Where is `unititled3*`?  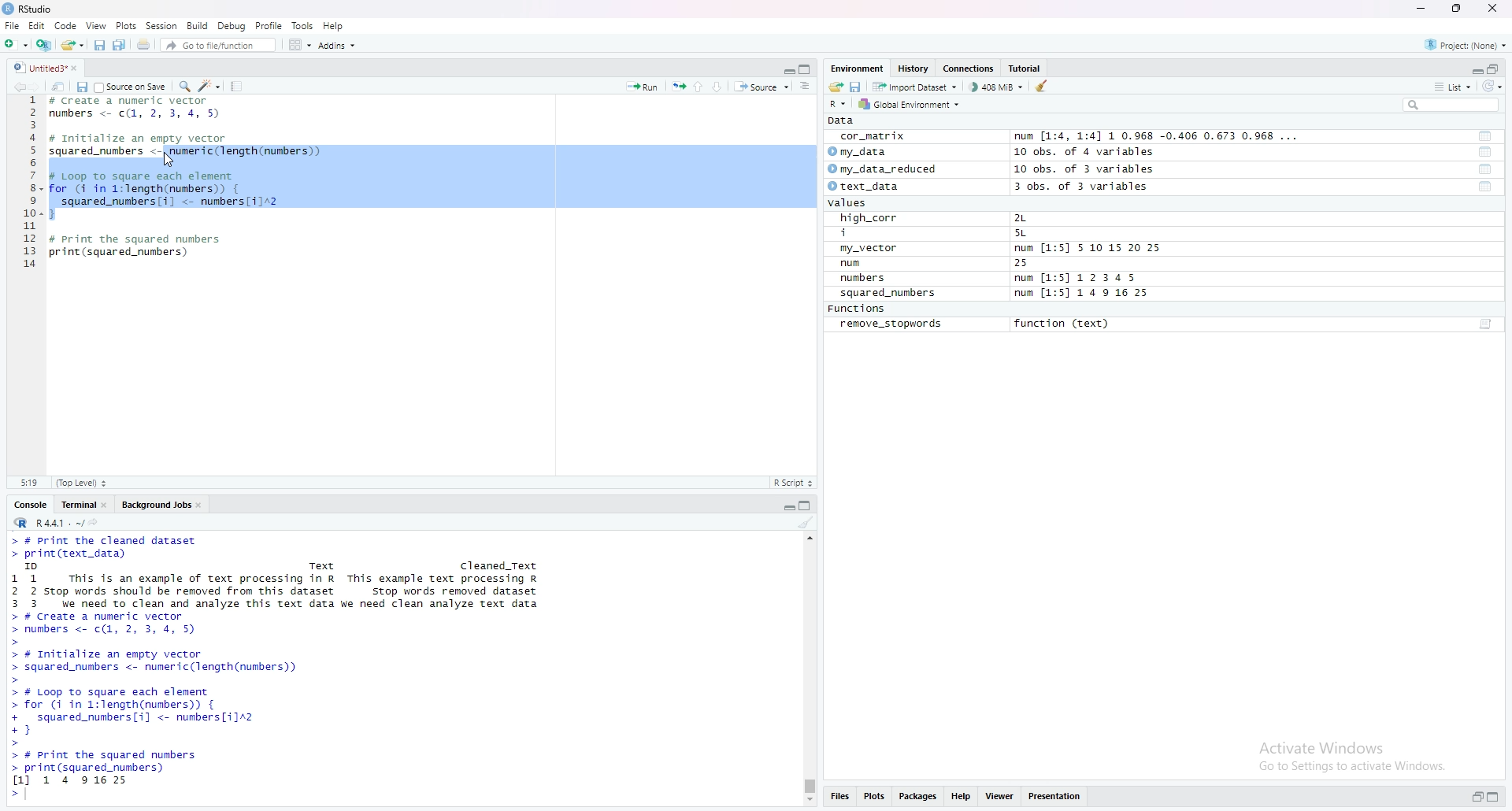 unititled3* is located at coordinates (37, 67).